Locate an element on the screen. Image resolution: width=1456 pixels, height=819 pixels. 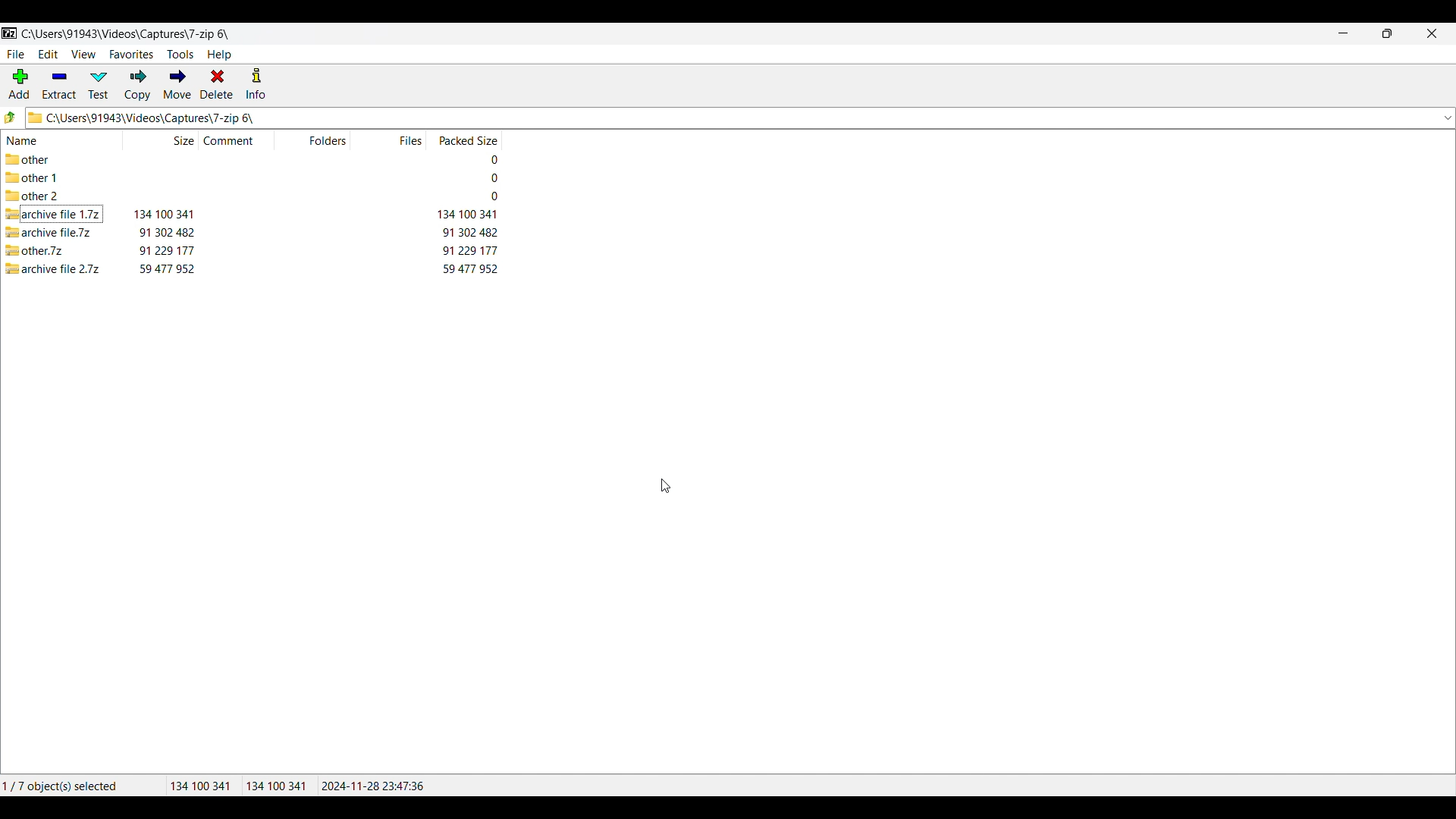
archive file 1.7z  is located at coordinates (52, 215).